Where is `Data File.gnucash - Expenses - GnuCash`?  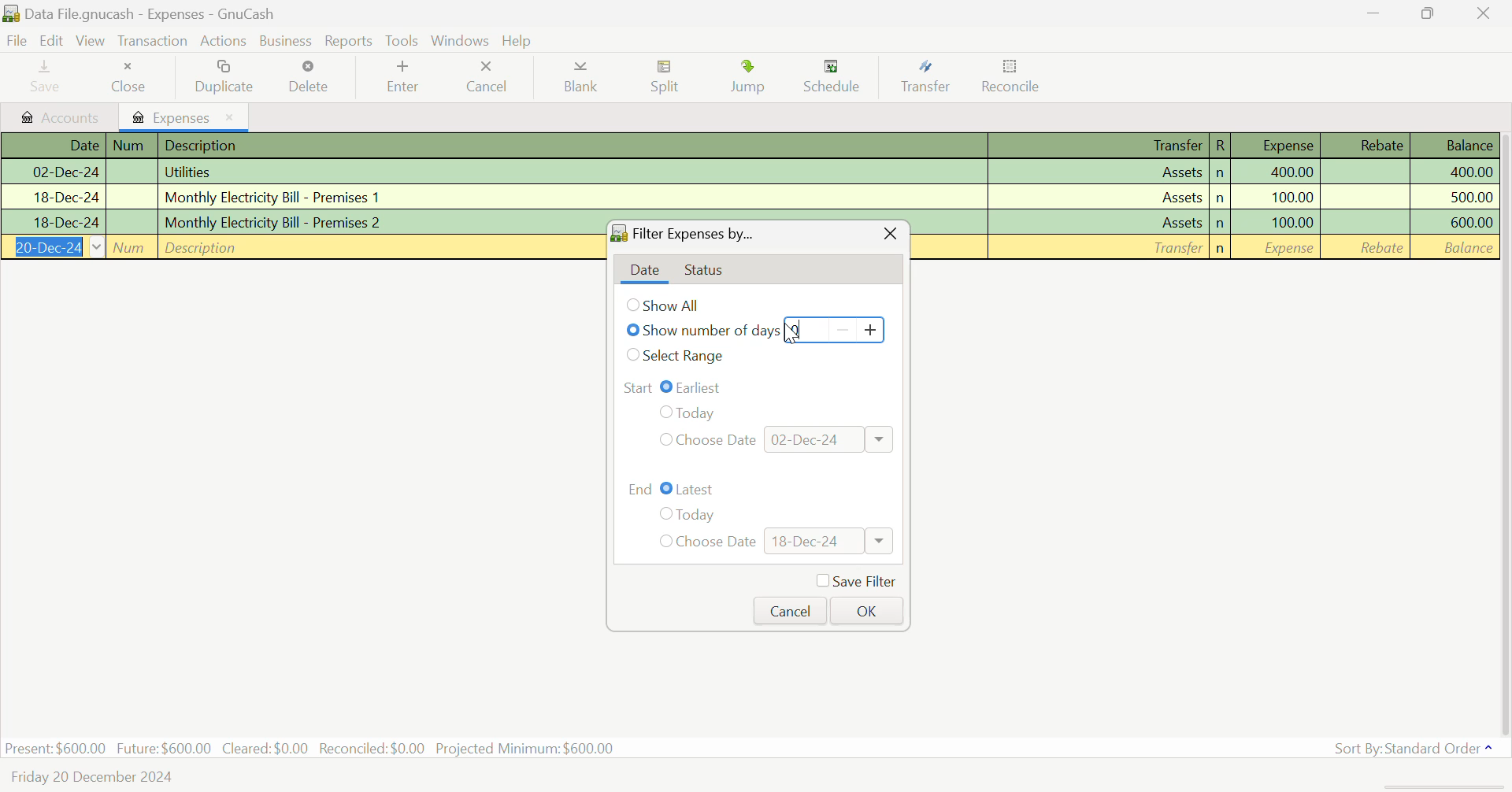
Data File.gnucash - Expenses - GnuCash is located at coordinates (141, 13).